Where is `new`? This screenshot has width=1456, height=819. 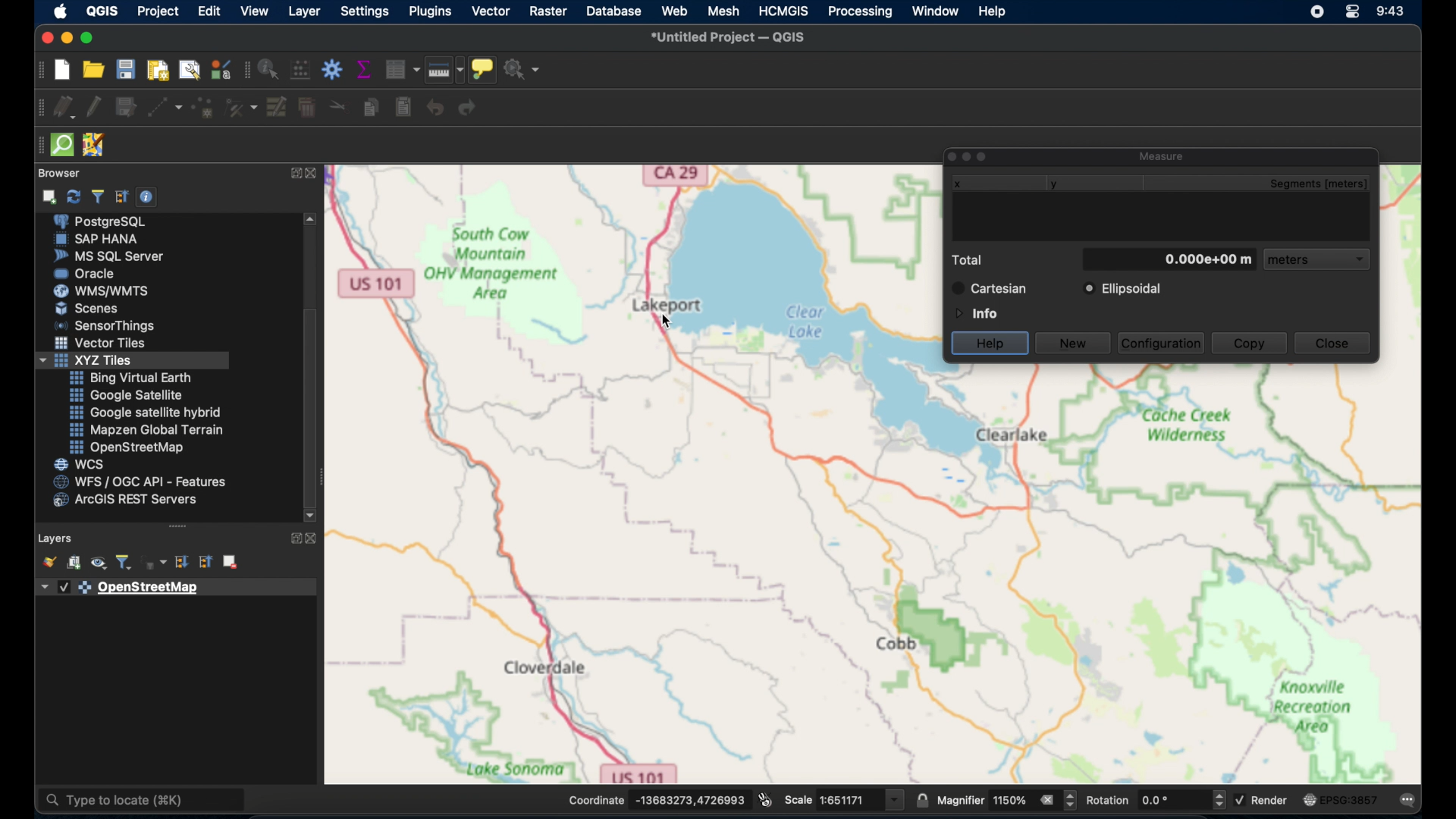
new is located at coordinates (1073, 344).